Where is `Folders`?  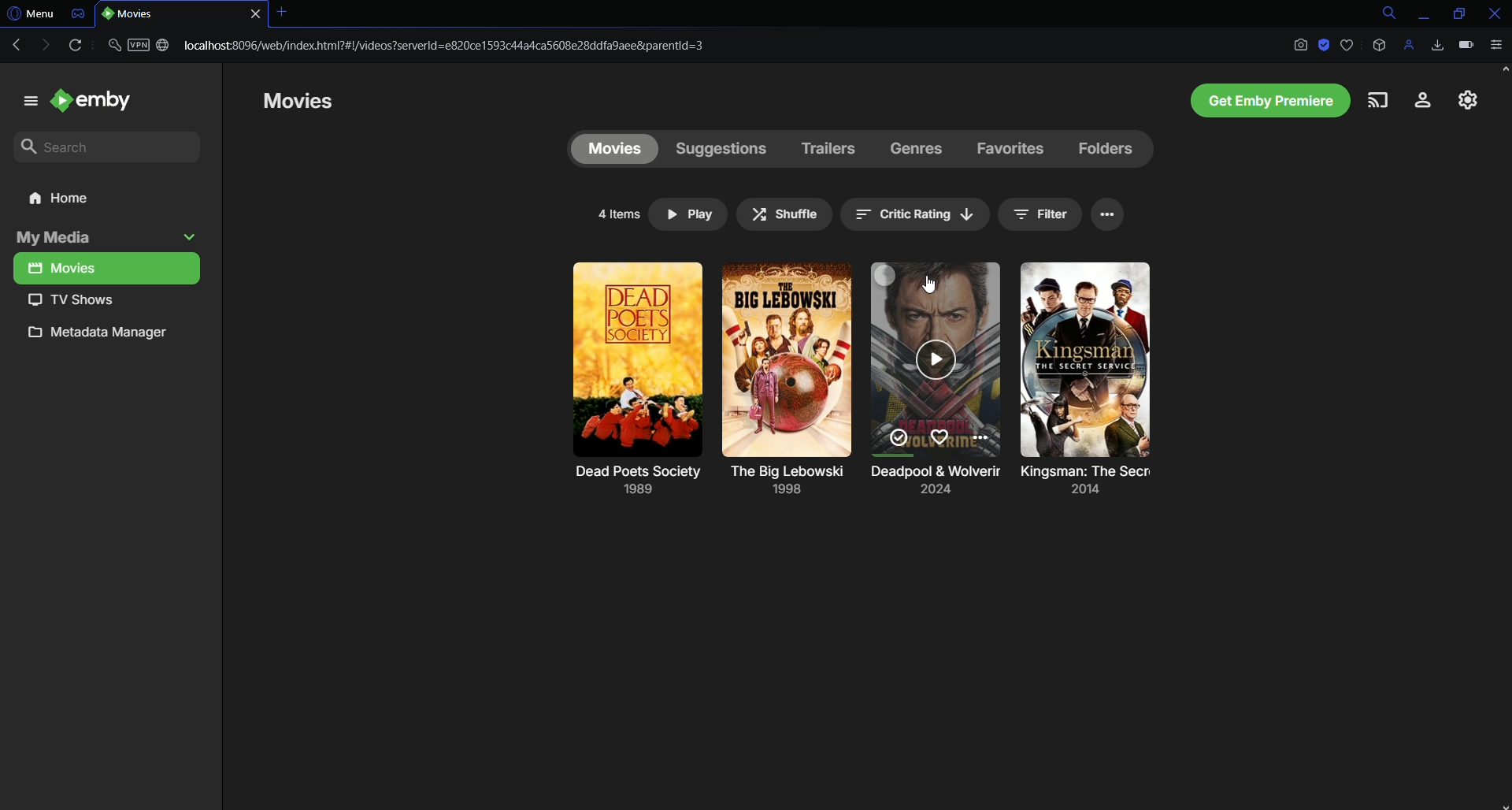
Folders is located at coordinates (1102, 151).